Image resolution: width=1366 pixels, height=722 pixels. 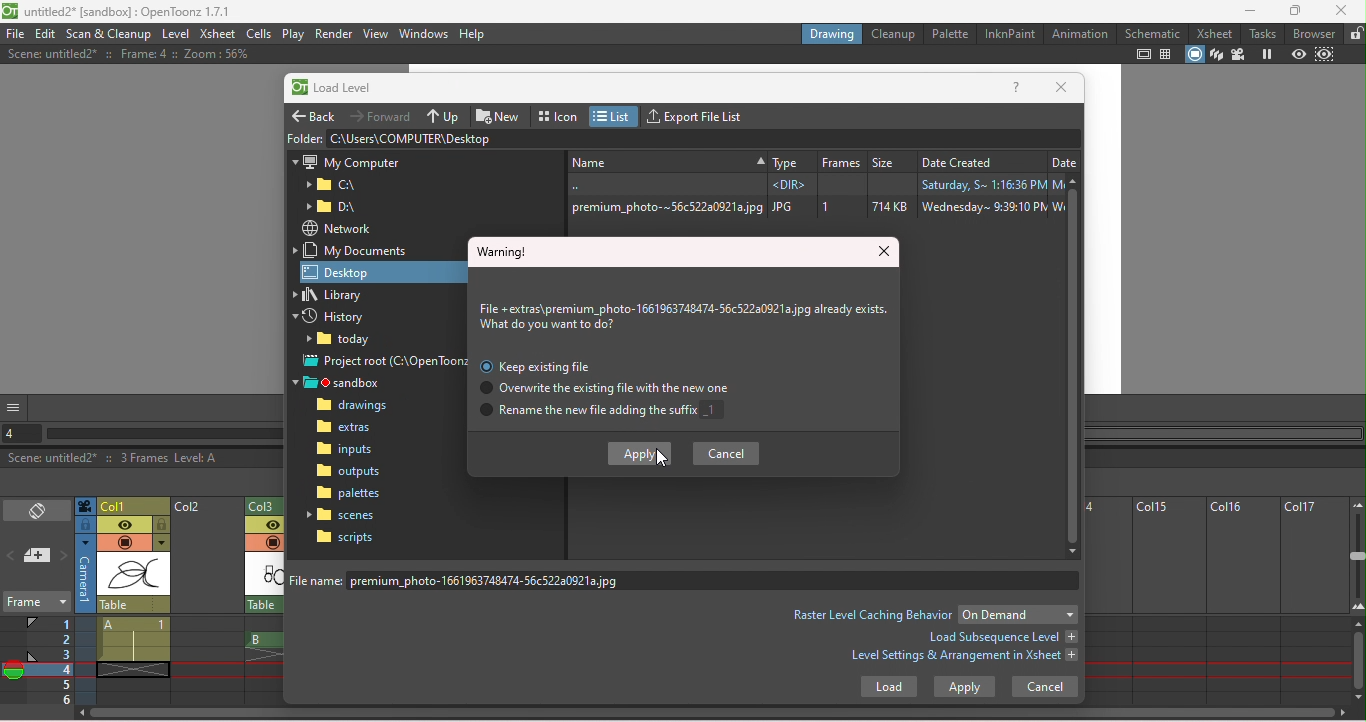 I want to click on Preview, so click(x=1298, y=55).